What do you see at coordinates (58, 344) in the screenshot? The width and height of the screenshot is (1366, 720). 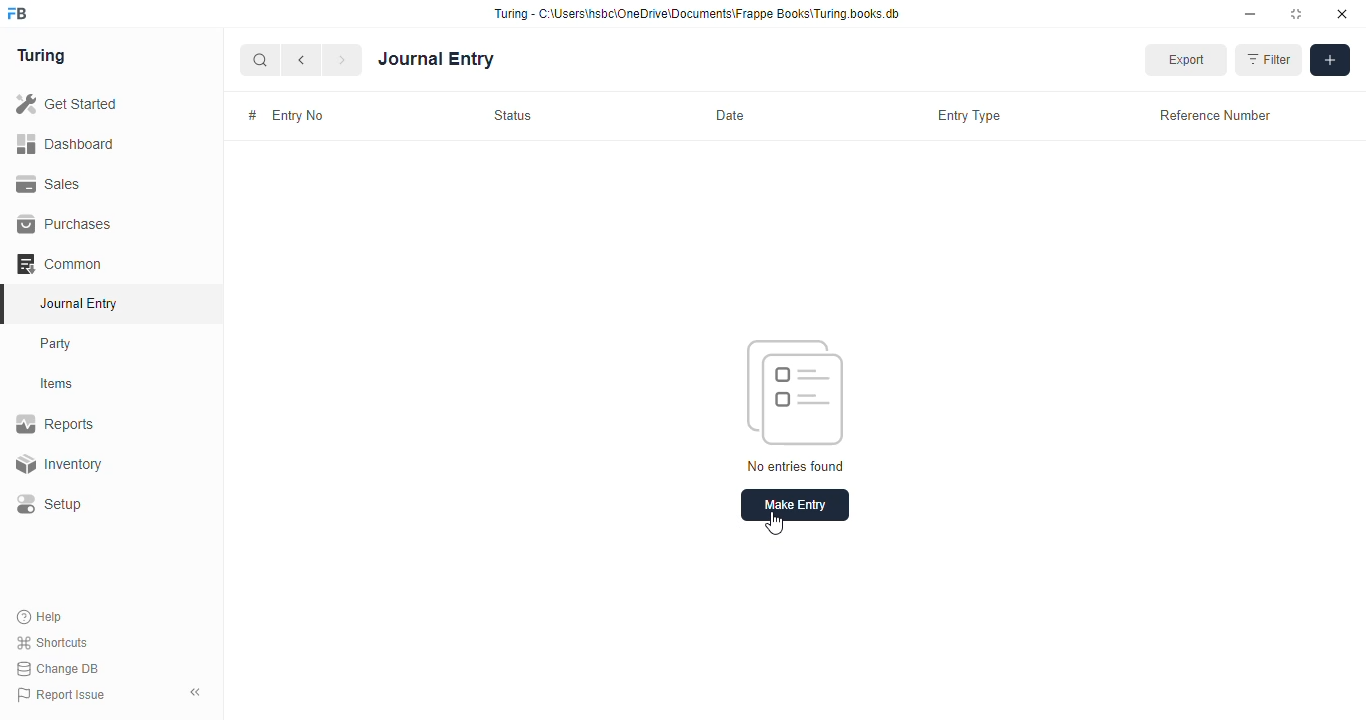 I see `party` at bounding box center [58, 344].